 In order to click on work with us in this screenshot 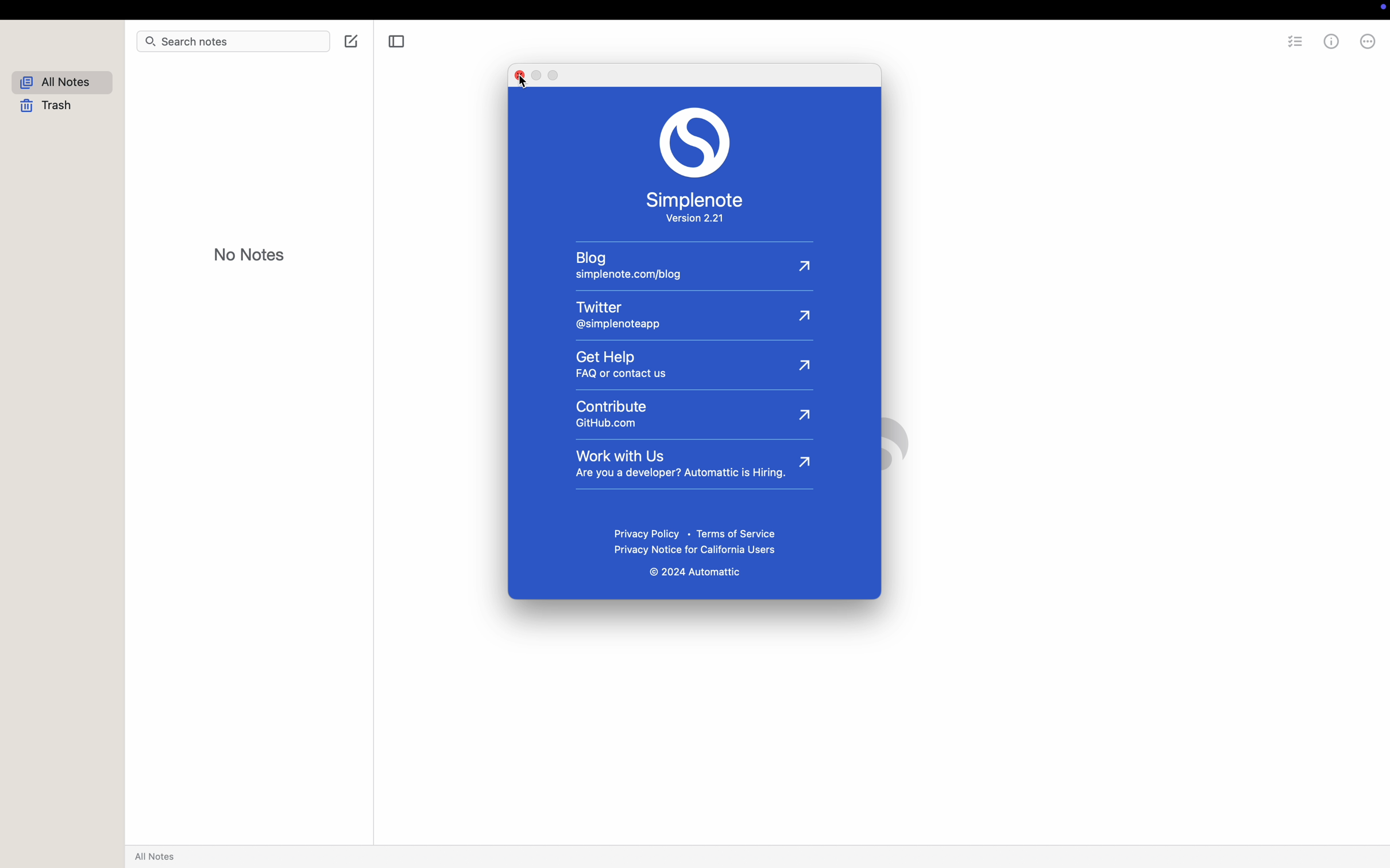, I will do `click(693, 466)`.